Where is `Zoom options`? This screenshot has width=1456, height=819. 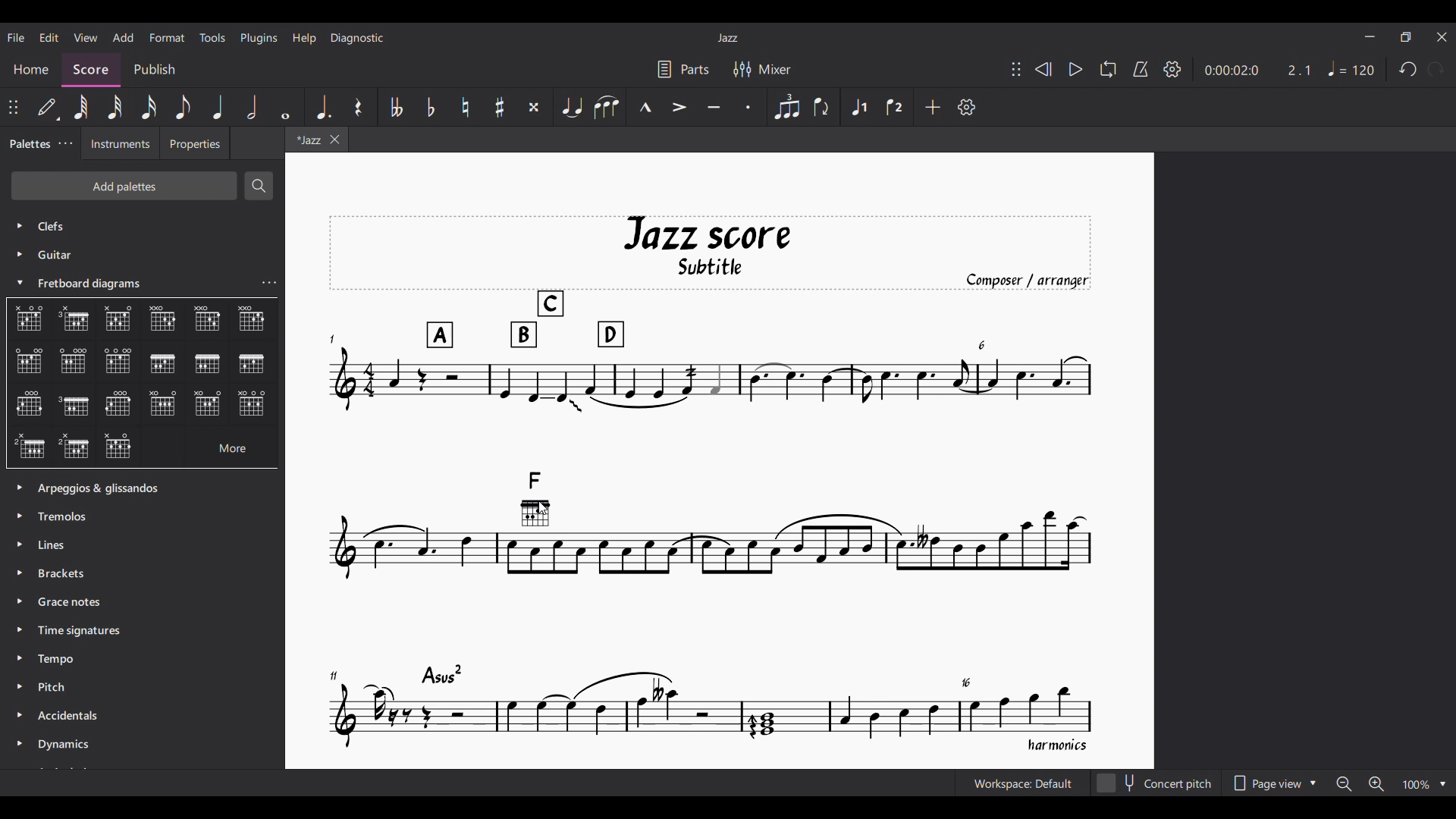 Zoom options is located at coordinates (1392, 783).